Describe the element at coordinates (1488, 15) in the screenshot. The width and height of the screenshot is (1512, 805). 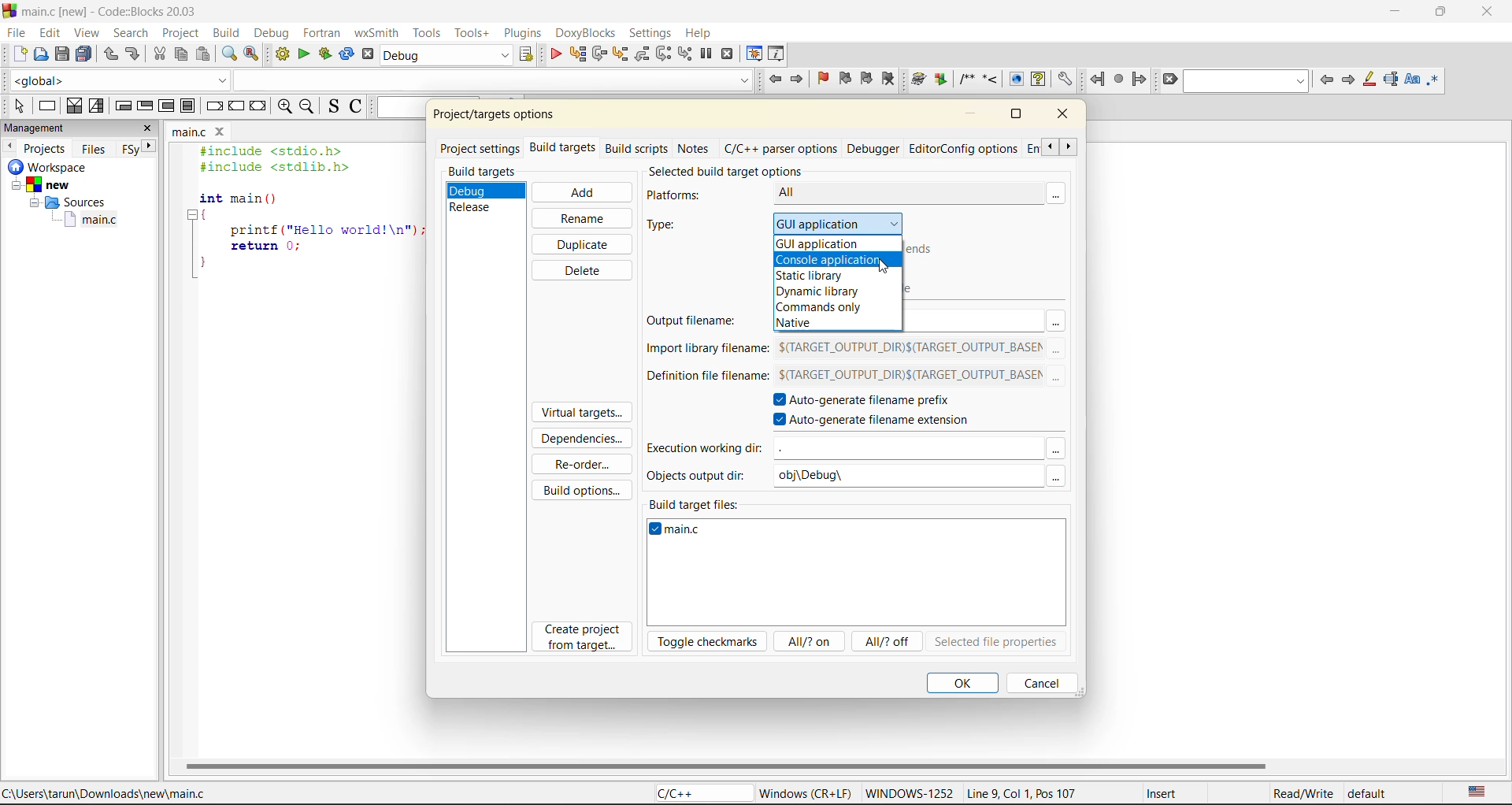
I see `close` at that location.